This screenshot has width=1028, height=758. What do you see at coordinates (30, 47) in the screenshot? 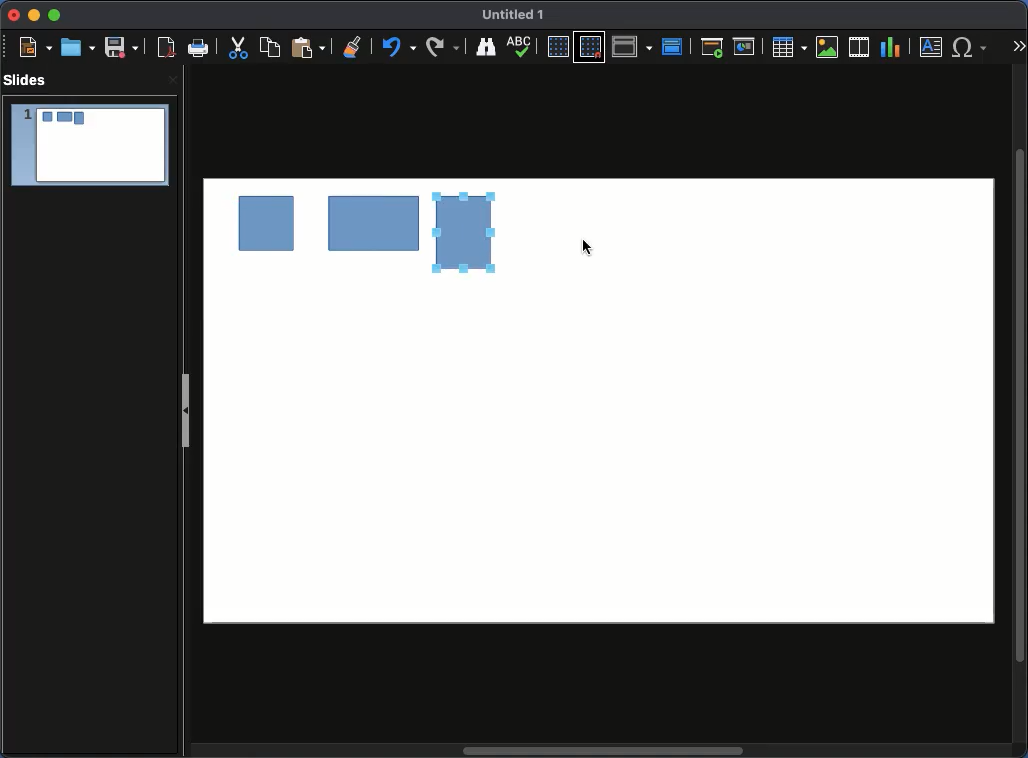
I see `New` at bounding box center [30, 47].